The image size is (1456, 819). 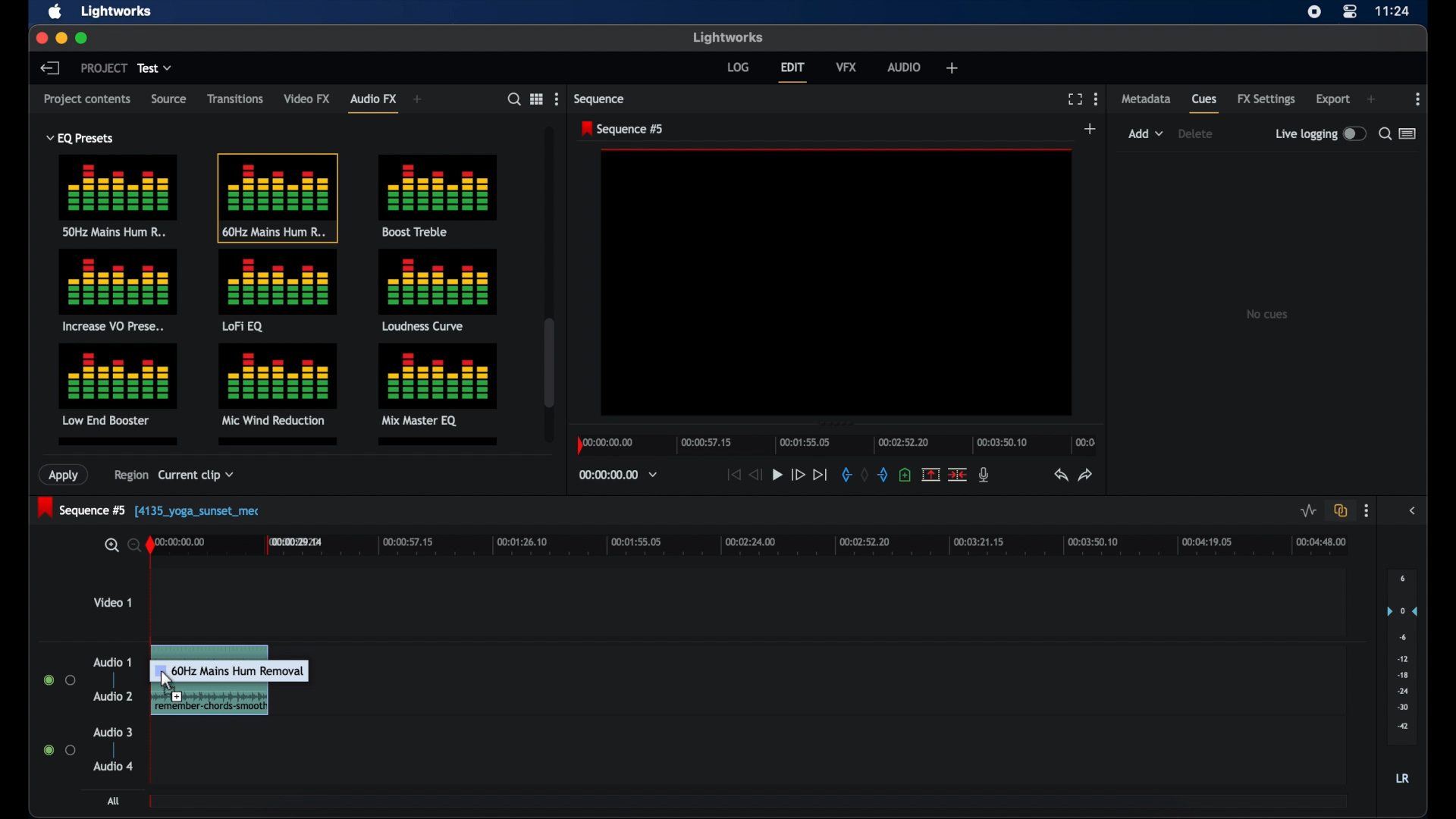 What do you see at coordinates (60, 749) in the screenshot?
I see `radio button` at bounding box center [60, 749].